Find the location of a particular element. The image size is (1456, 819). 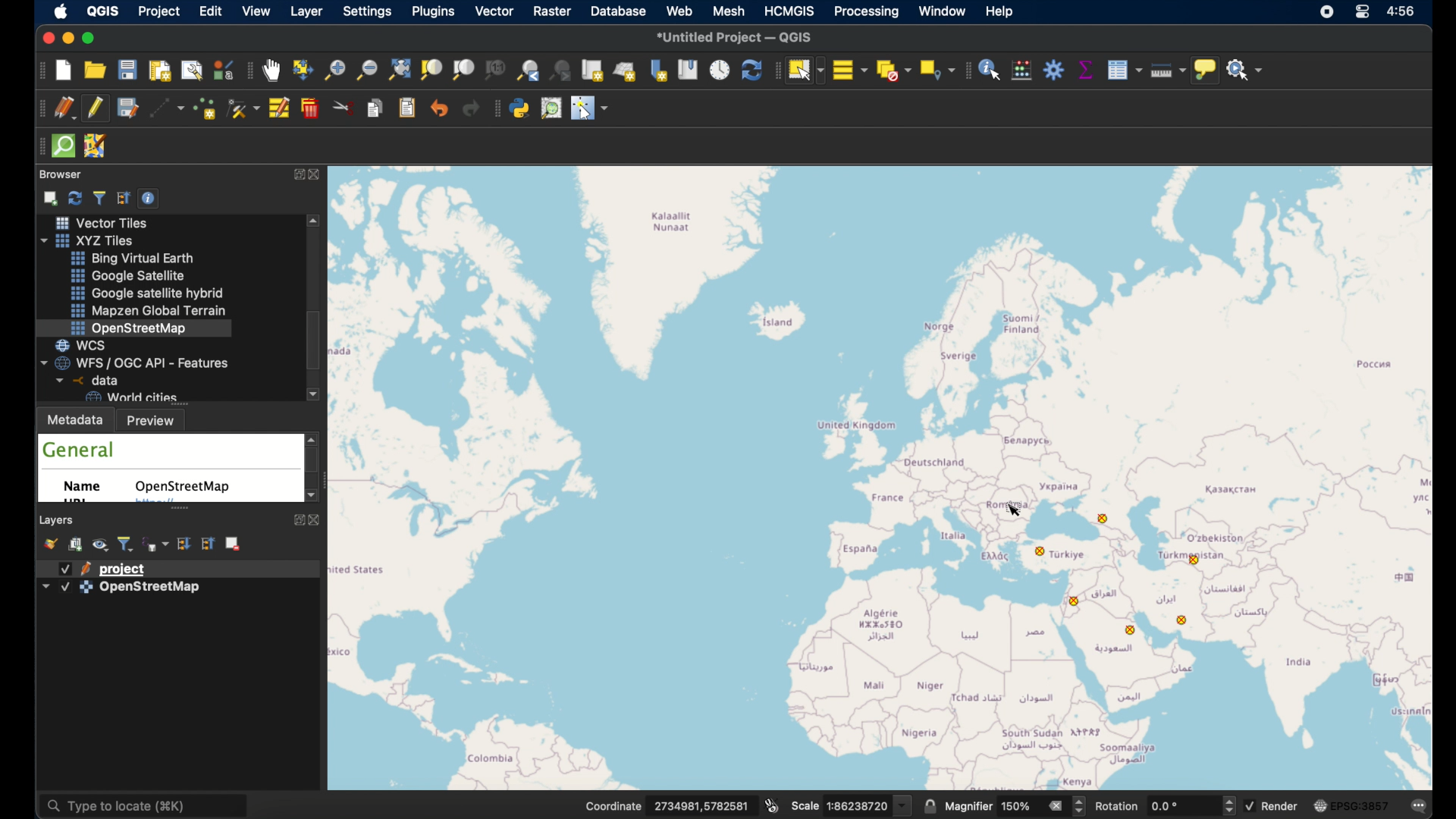

magnifier value is located at coordinates (1016, 805).